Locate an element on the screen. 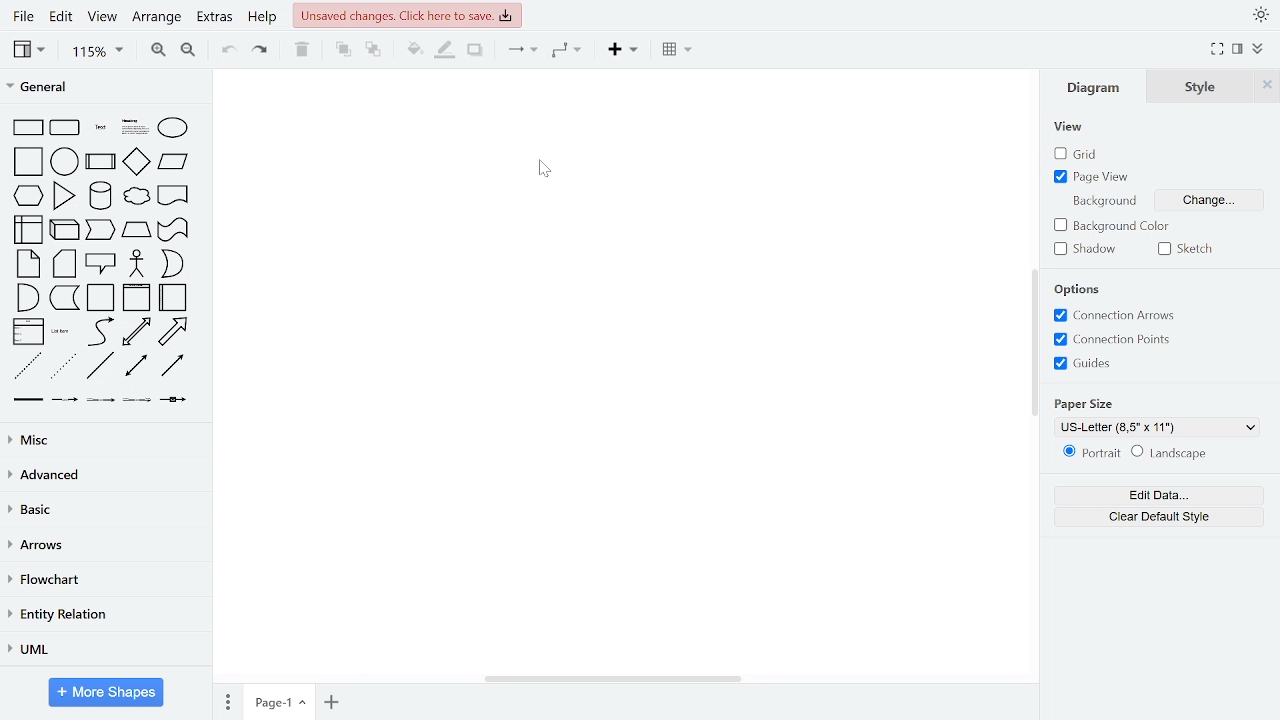 The height and width of the screenshot is (720, 1280). note is located at coordinates (30, 262).